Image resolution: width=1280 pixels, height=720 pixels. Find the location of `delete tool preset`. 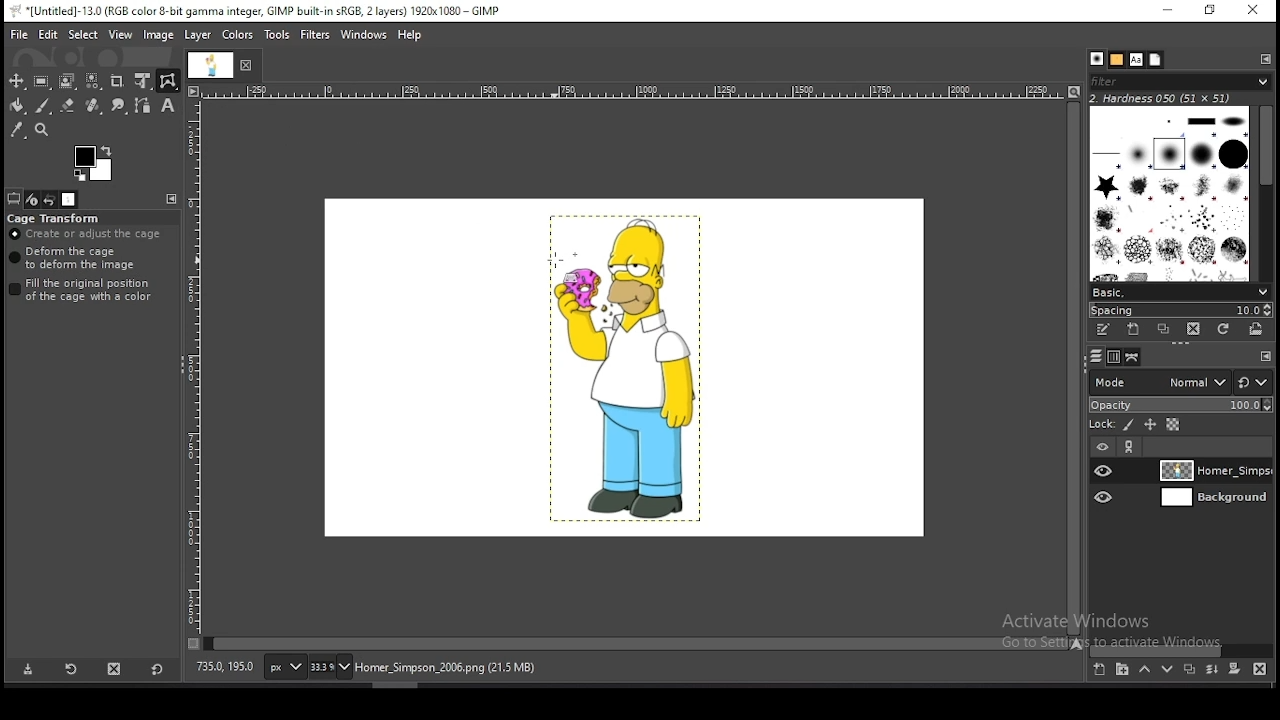

delete tool preset is located at coordinates (116, 670).